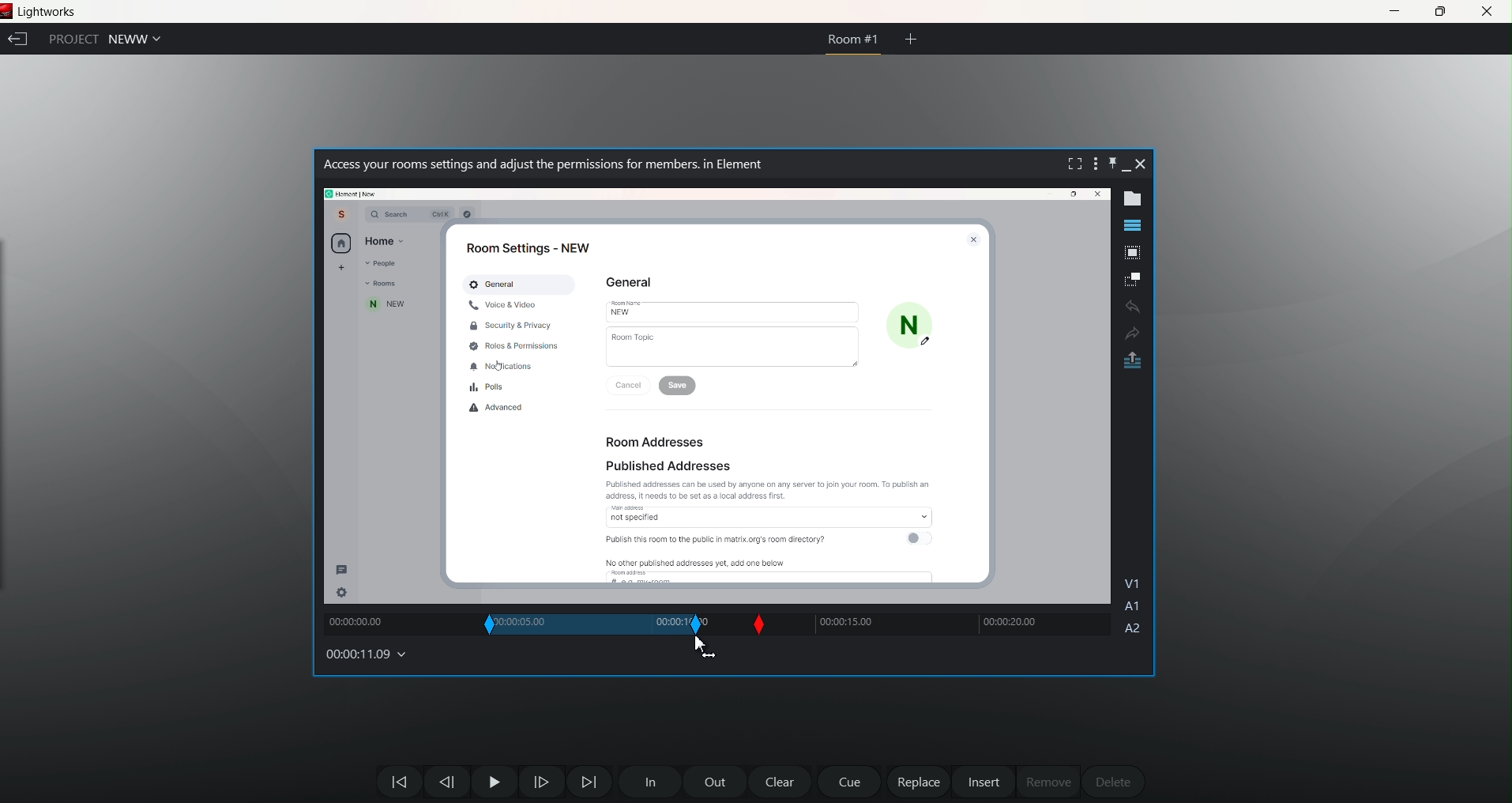 This screenshot has height=803, width=1512. I want to click on show metadata, so click(1130, 200).